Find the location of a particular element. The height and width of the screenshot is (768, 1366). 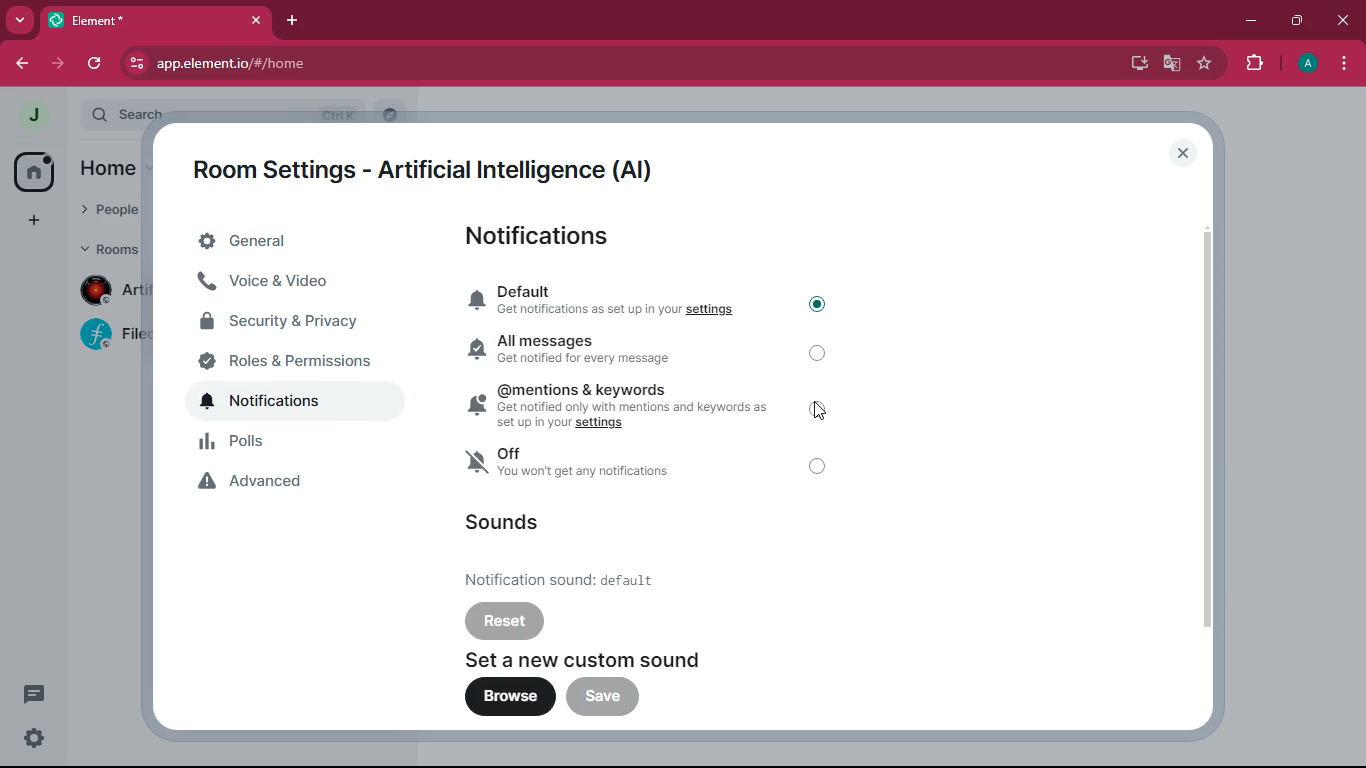

off is located at coordinates (821, 466).